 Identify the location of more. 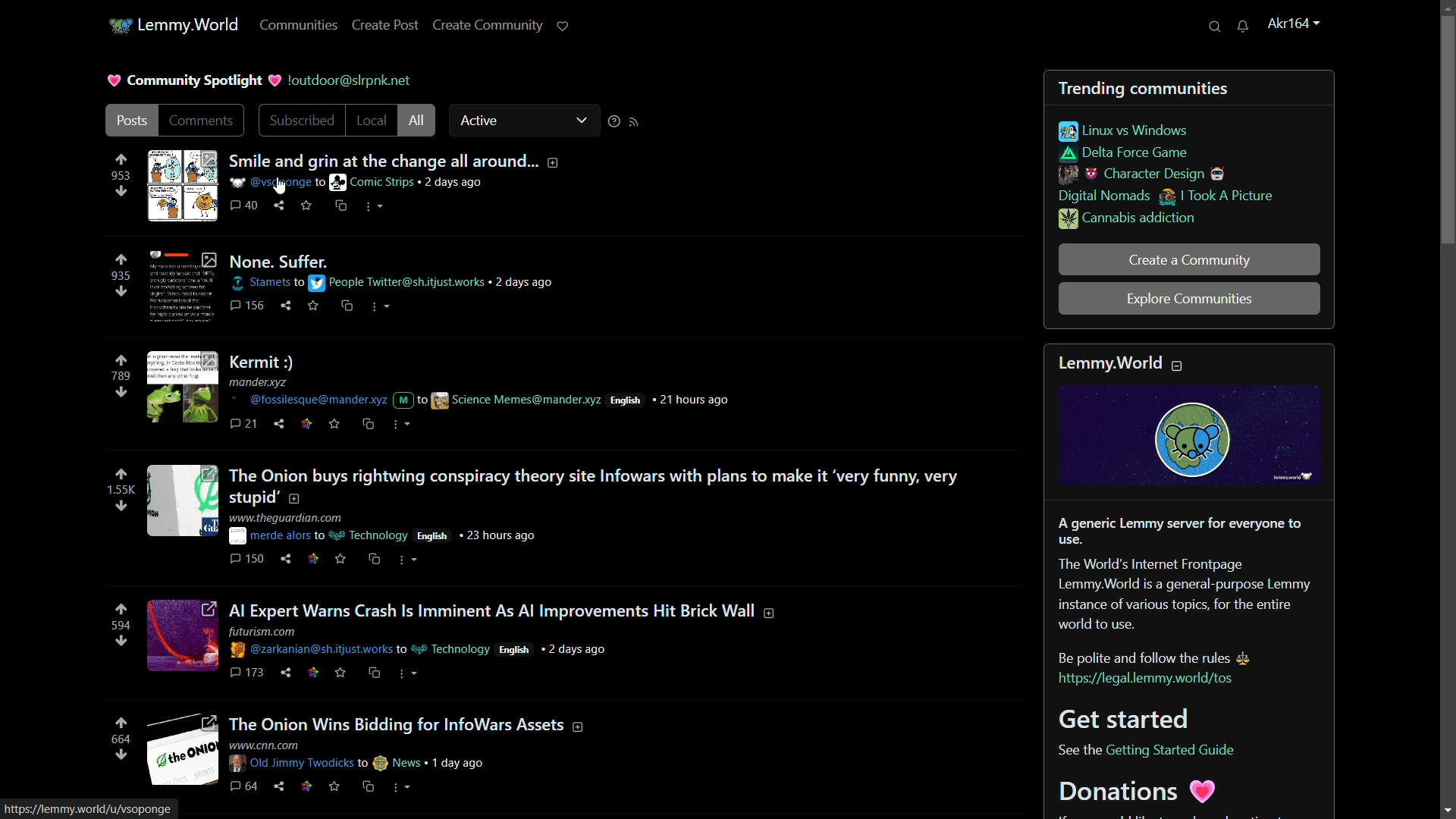
(403, 423).